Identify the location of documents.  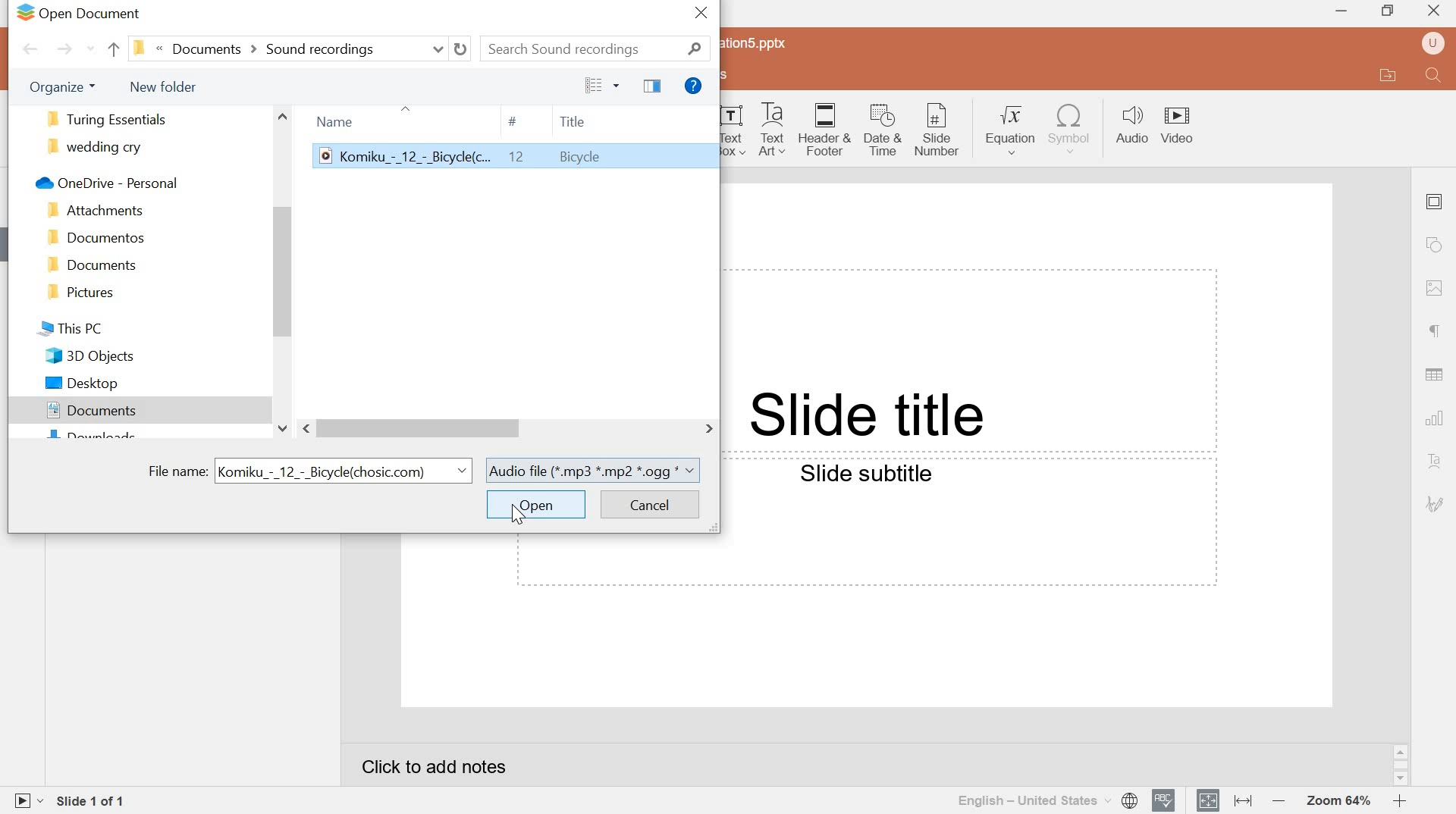
(88, 411).